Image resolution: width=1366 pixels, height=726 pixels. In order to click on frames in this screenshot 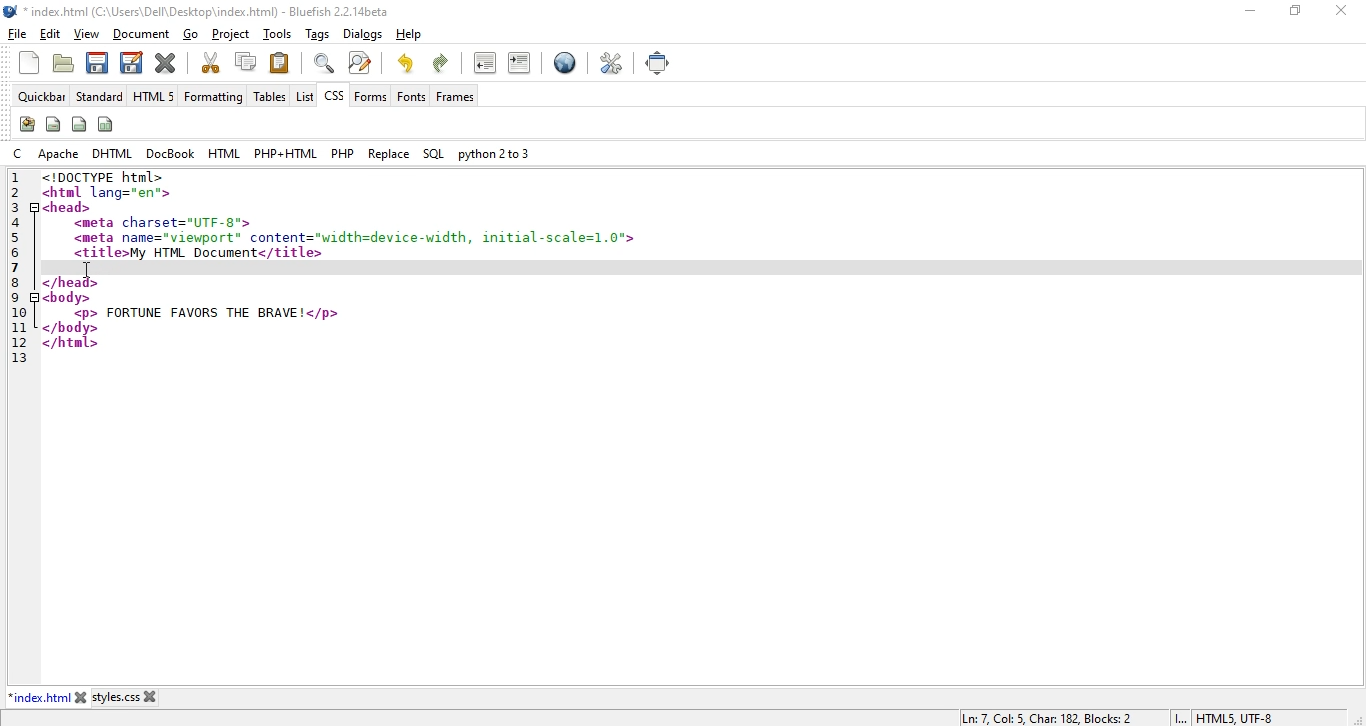, I will do `click(456, 97)`.